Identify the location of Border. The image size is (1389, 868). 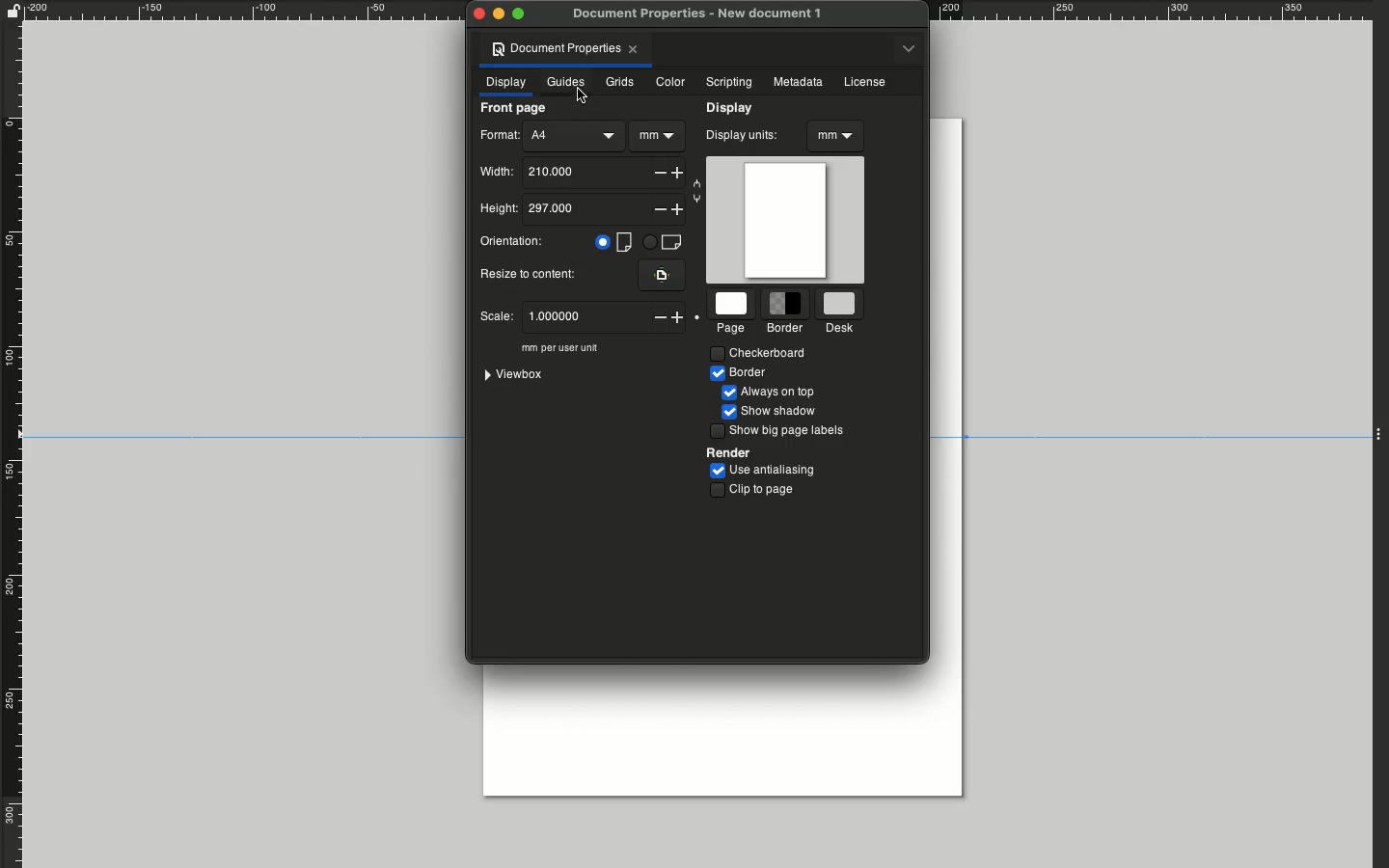
(739, 372).